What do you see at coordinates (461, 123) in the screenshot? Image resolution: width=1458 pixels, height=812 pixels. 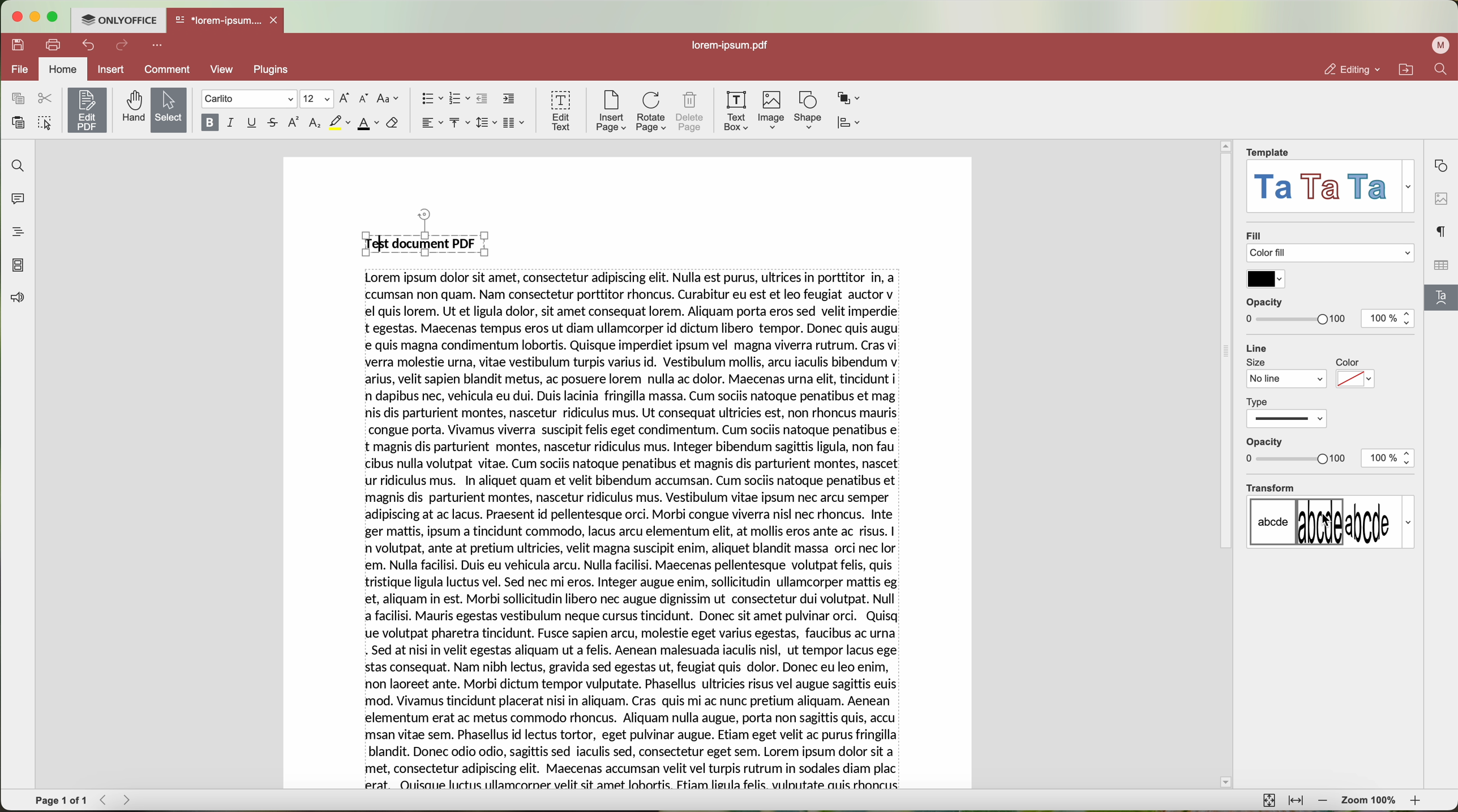 I see `vertical align` at bounding box center [461, 123].